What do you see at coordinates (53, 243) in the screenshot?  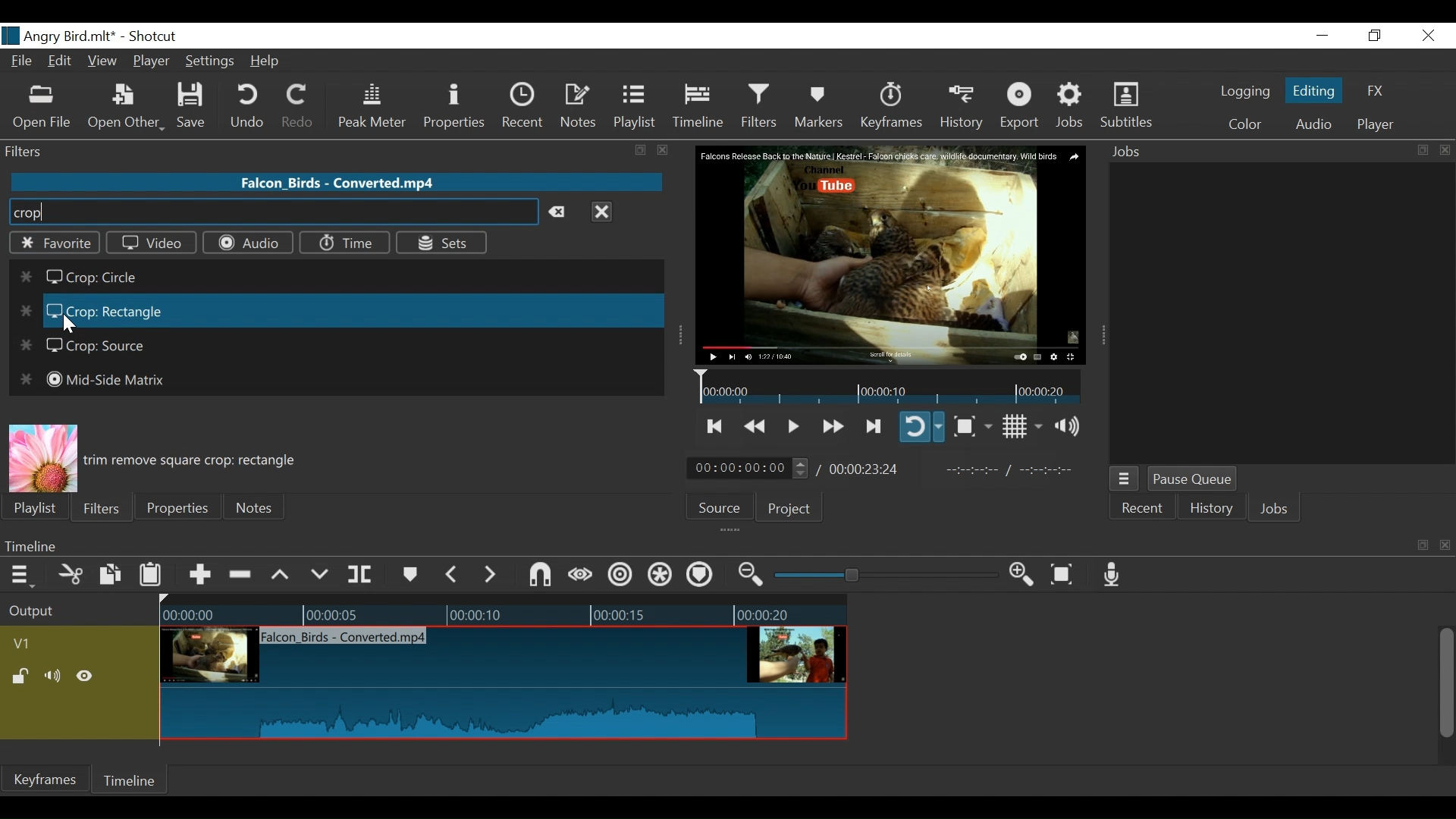 I see `Favorite` at bounding box center [53, 243].